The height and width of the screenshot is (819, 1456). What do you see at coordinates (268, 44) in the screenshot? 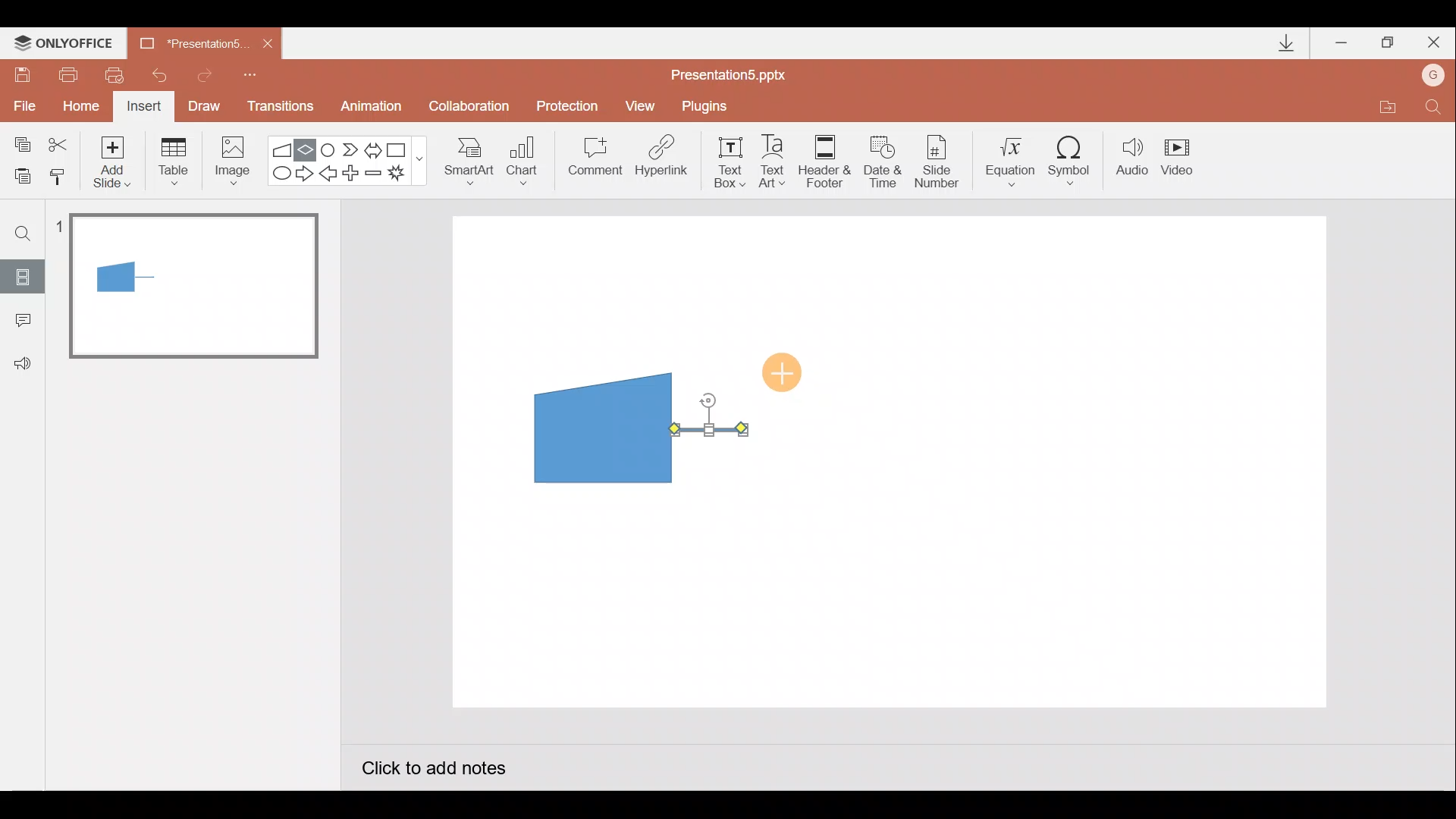
I see `Close` at bounding box center [268, 44].